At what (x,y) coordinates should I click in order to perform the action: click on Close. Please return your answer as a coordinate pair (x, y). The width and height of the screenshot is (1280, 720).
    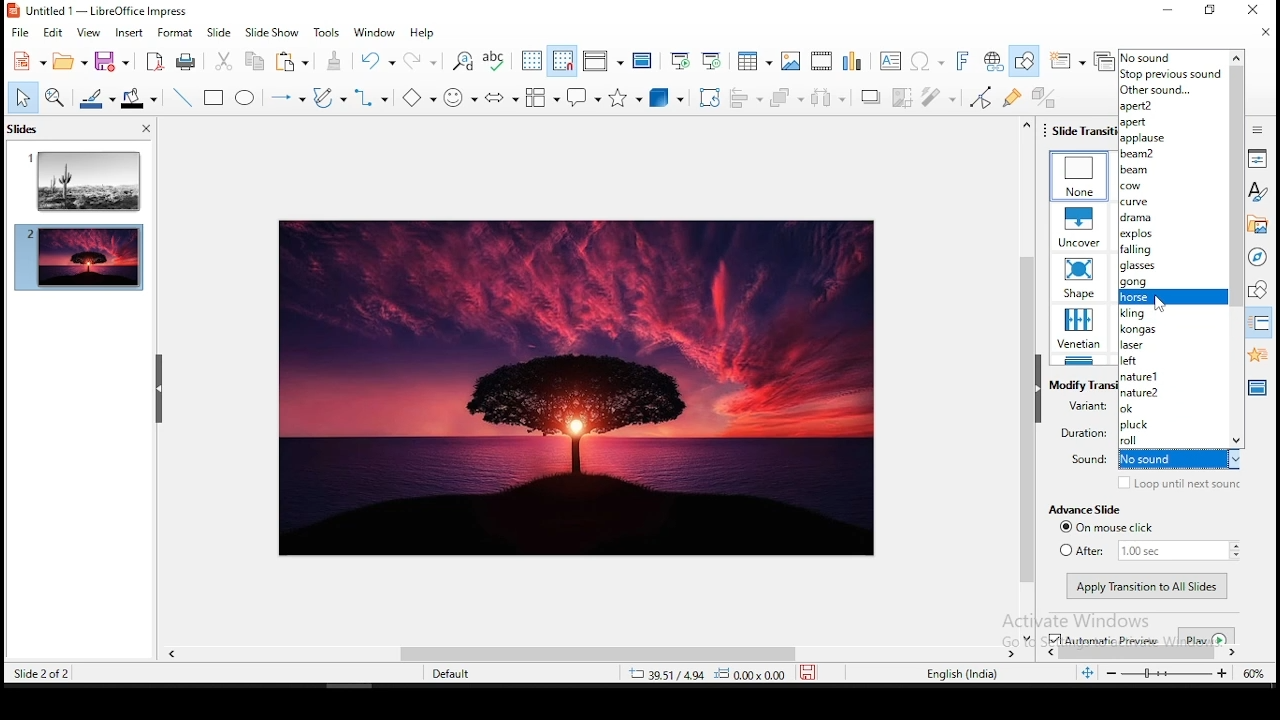
    Looking at the image, I should click on (1250, 12).